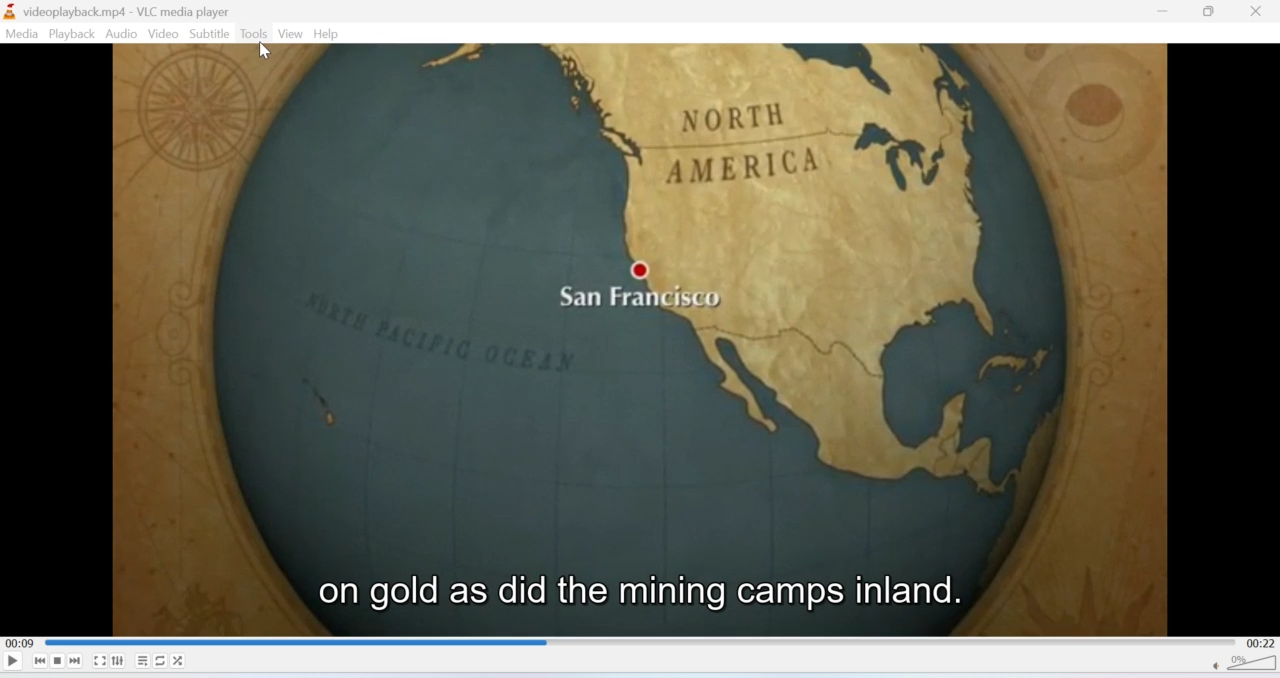 The width and height of the screenshot is (1280, 678). What do you see at coordinates (328, 34) in the screenshot?
I see `Help` at bounding box center [328, 34].